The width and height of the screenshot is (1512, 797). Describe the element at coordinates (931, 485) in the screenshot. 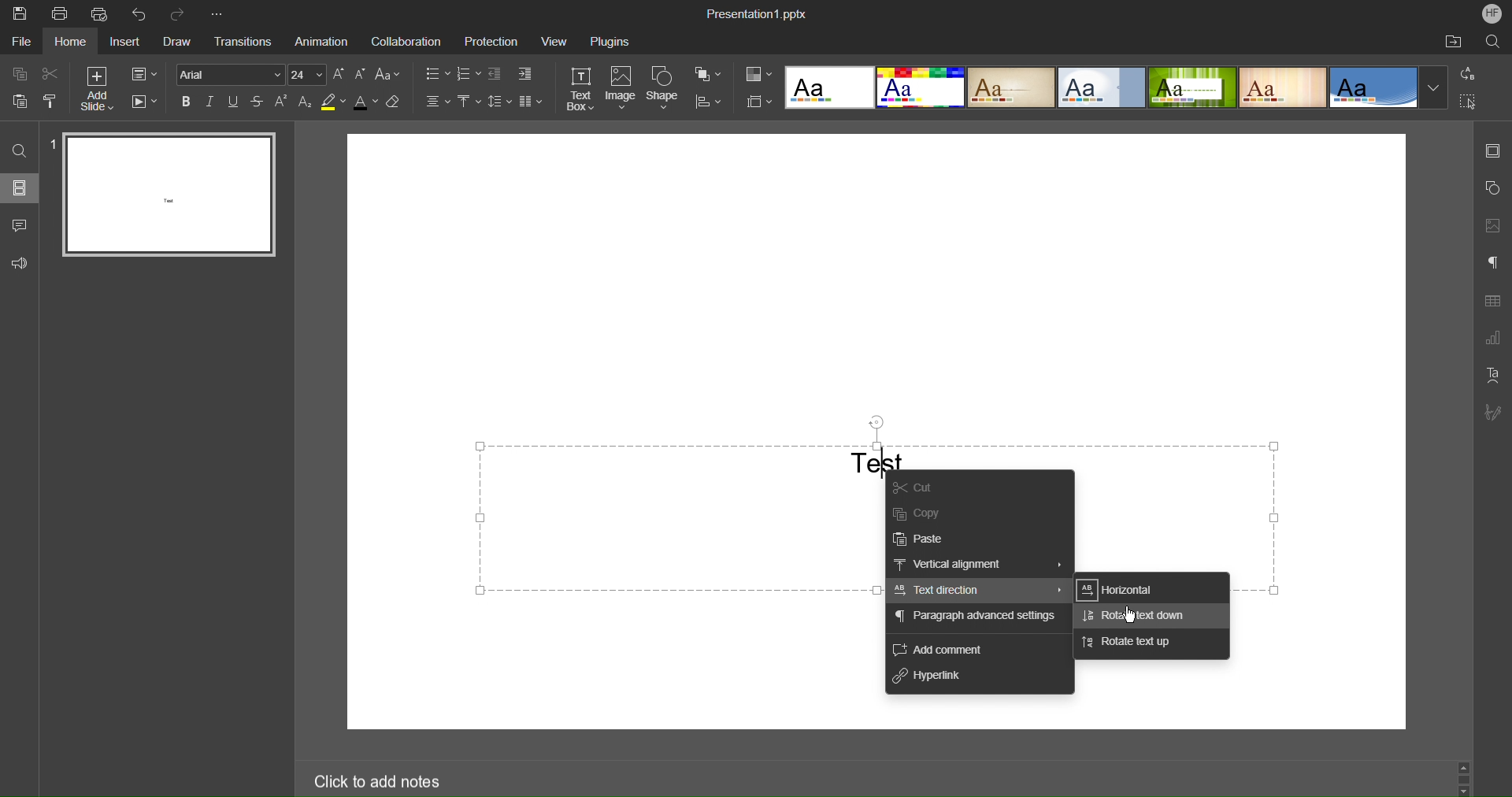

I see `Cut` at that location.